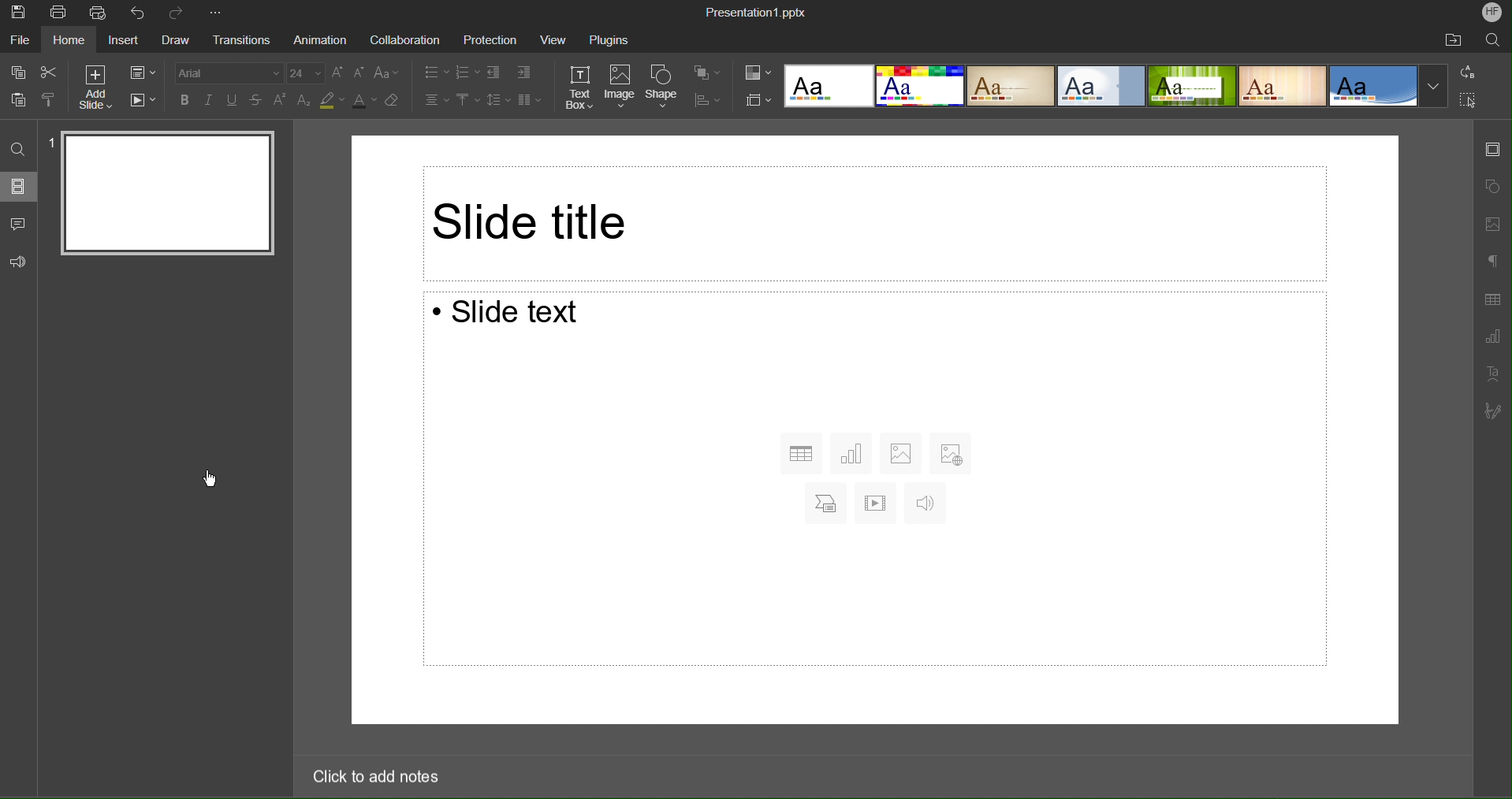  Describe the element at coordinates (223, 71) in the screenshot. I see `Font ` at that location.